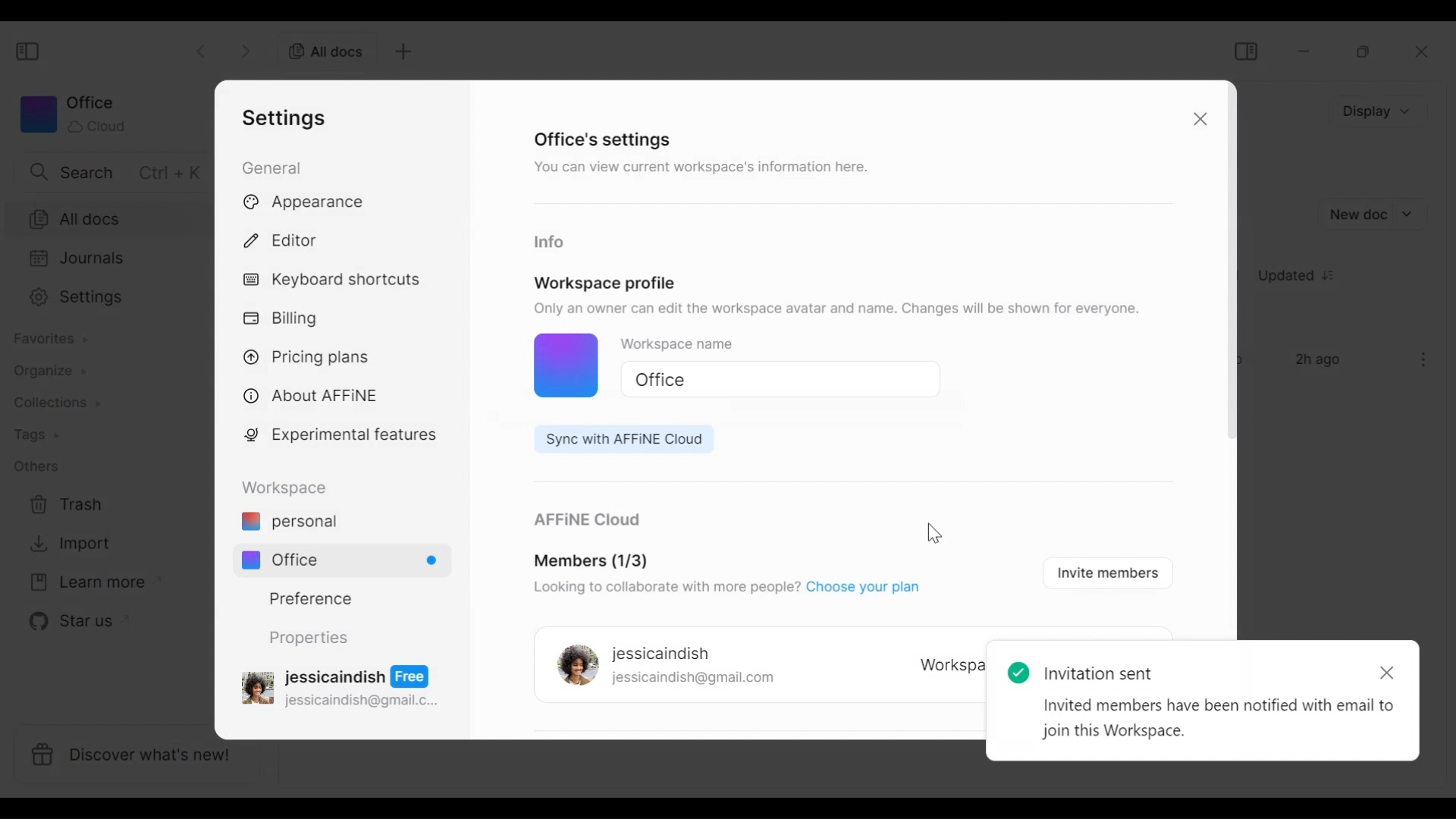 This screenshot has width=1456, height=819. I want to click on All documents, so click(321, 50).